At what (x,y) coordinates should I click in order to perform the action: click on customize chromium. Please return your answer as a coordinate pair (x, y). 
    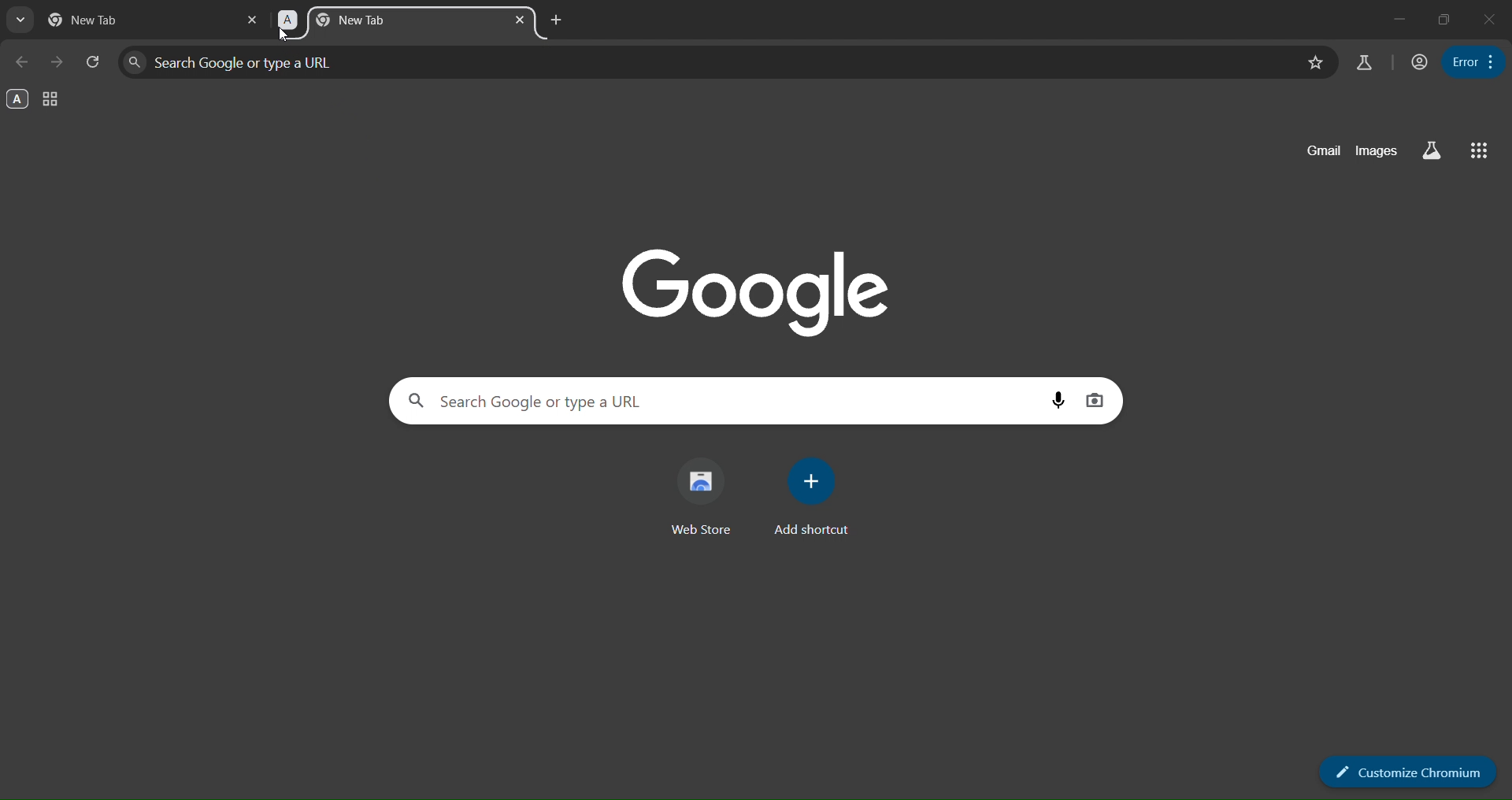
    Looking at the image, I should click on (1409, 770).